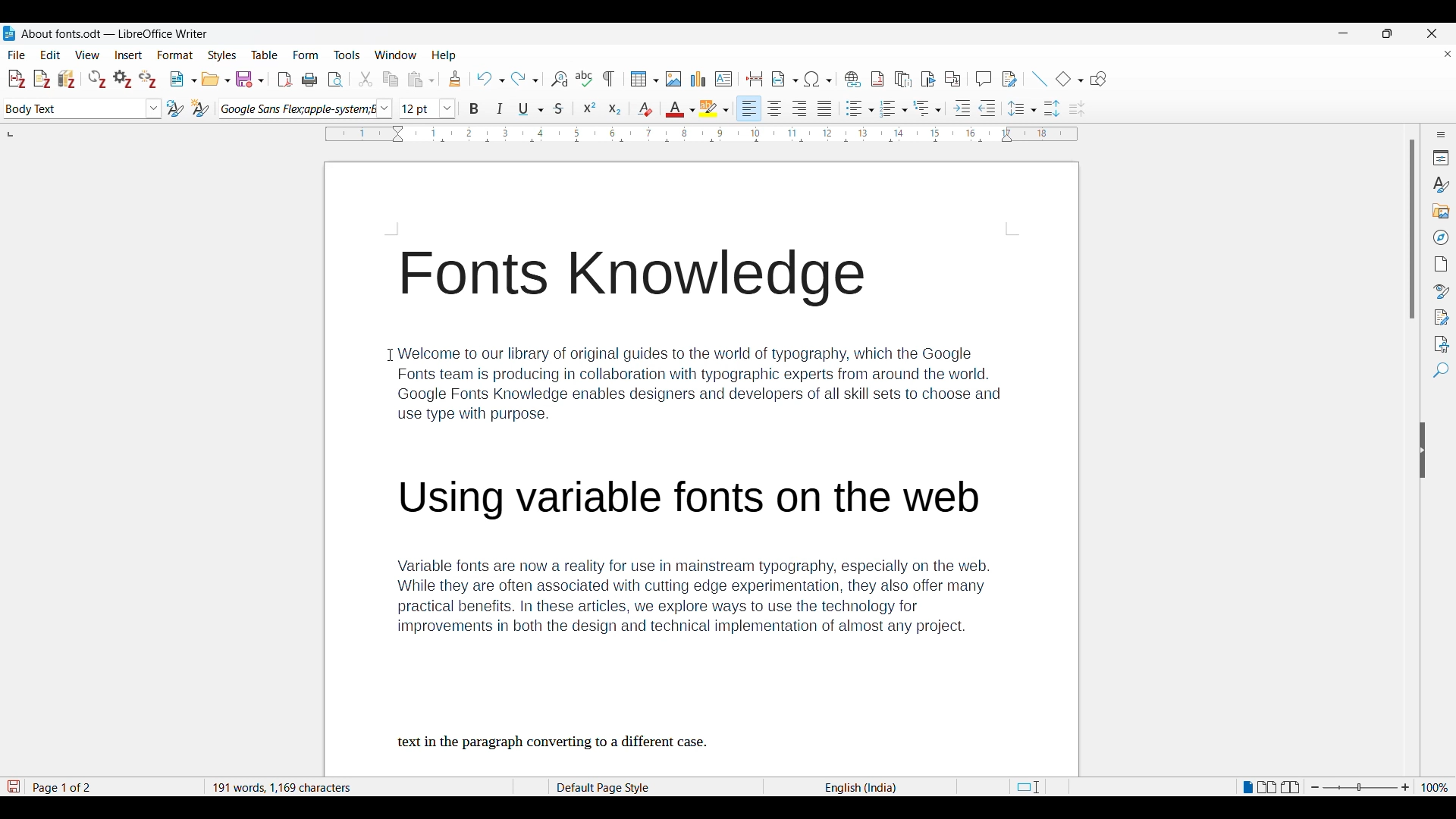 This screenshot has height=819, width=1456. What do you see at coordinates (122, 79) in the screenshot?
I see `Set document preferences` at bounding box center [122, 79].